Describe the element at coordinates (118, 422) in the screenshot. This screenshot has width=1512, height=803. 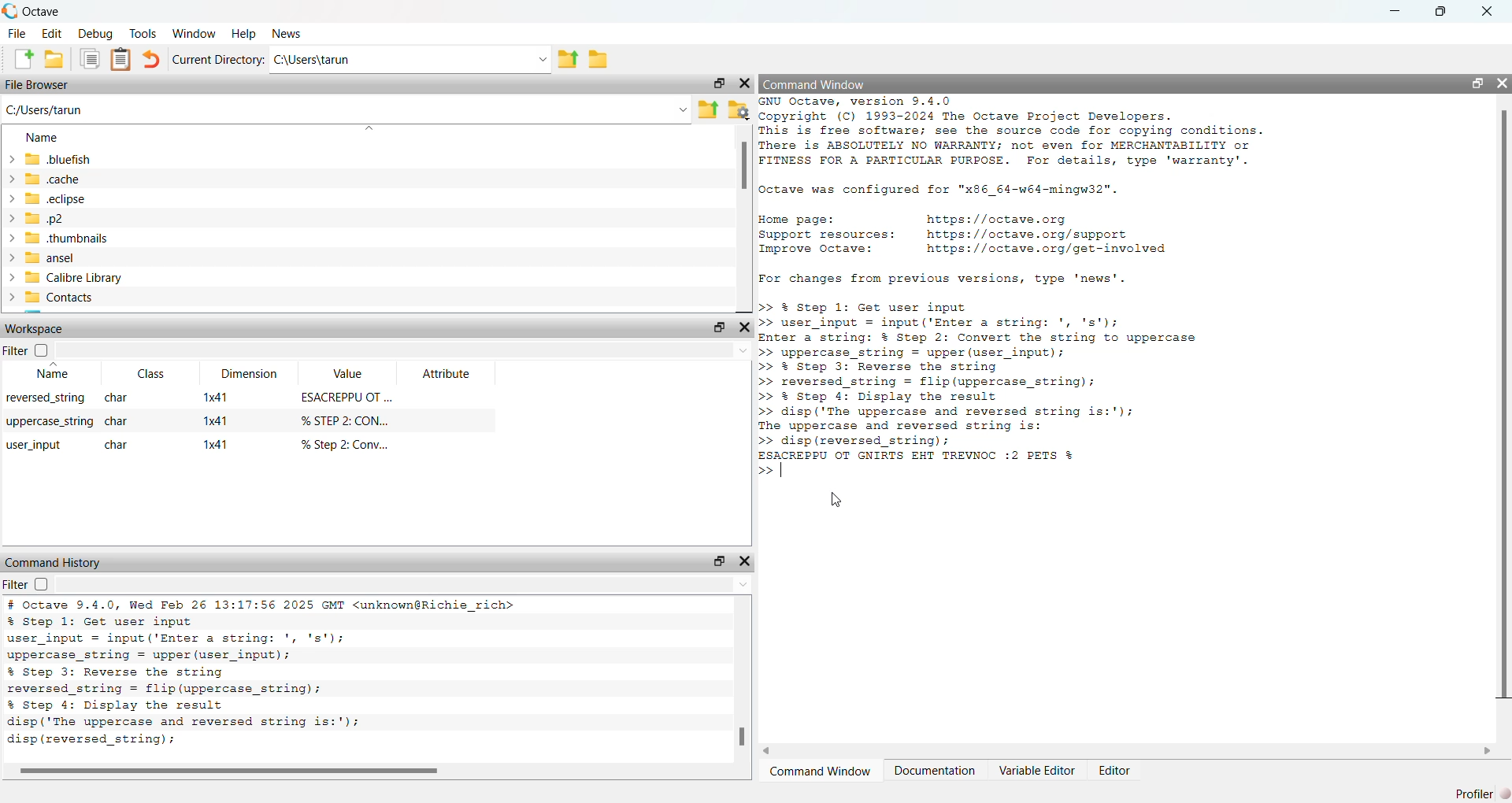
I see `char` at that location.